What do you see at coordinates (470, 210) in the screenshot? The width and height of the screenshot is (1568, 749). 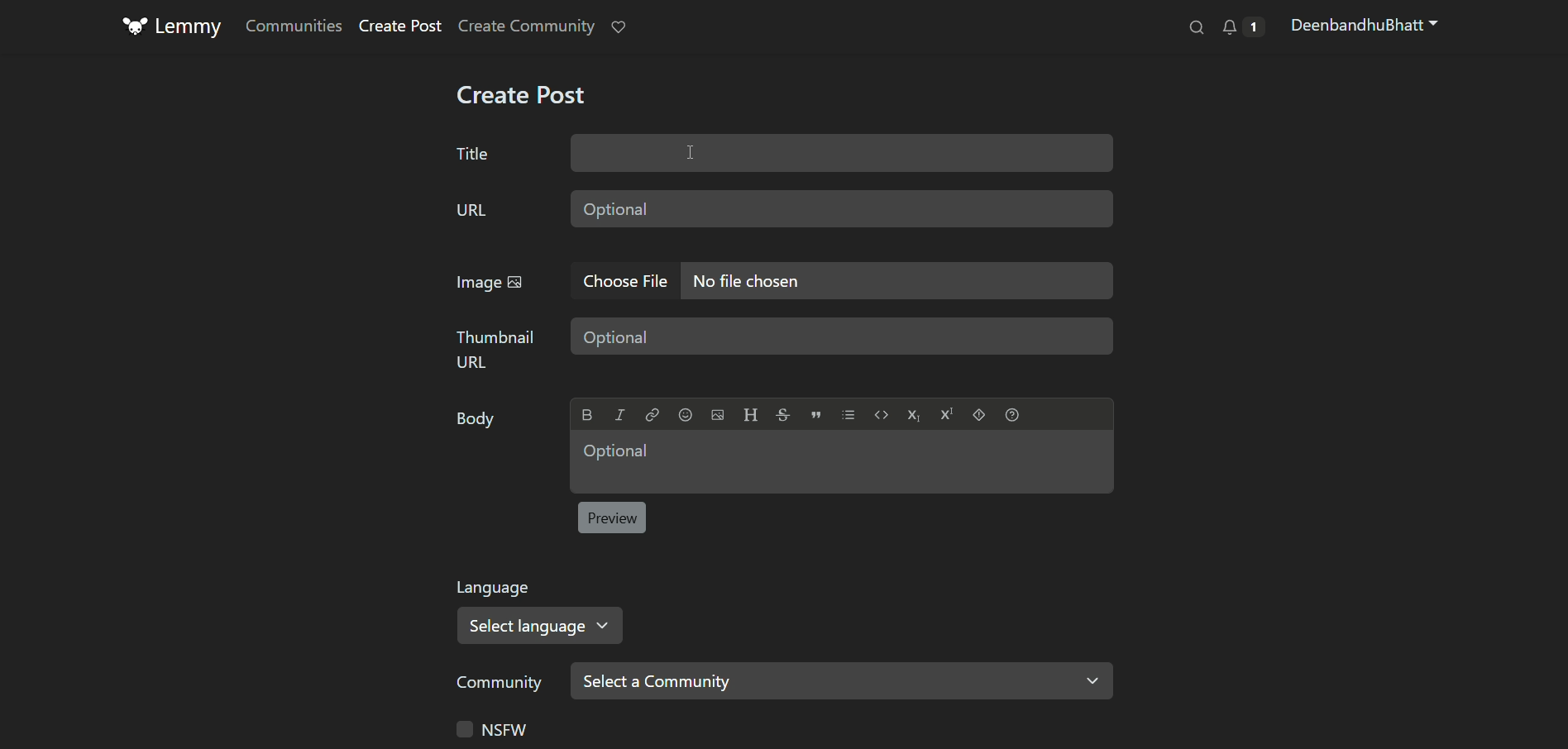 I see `URL` at bounding box center [470, 210].